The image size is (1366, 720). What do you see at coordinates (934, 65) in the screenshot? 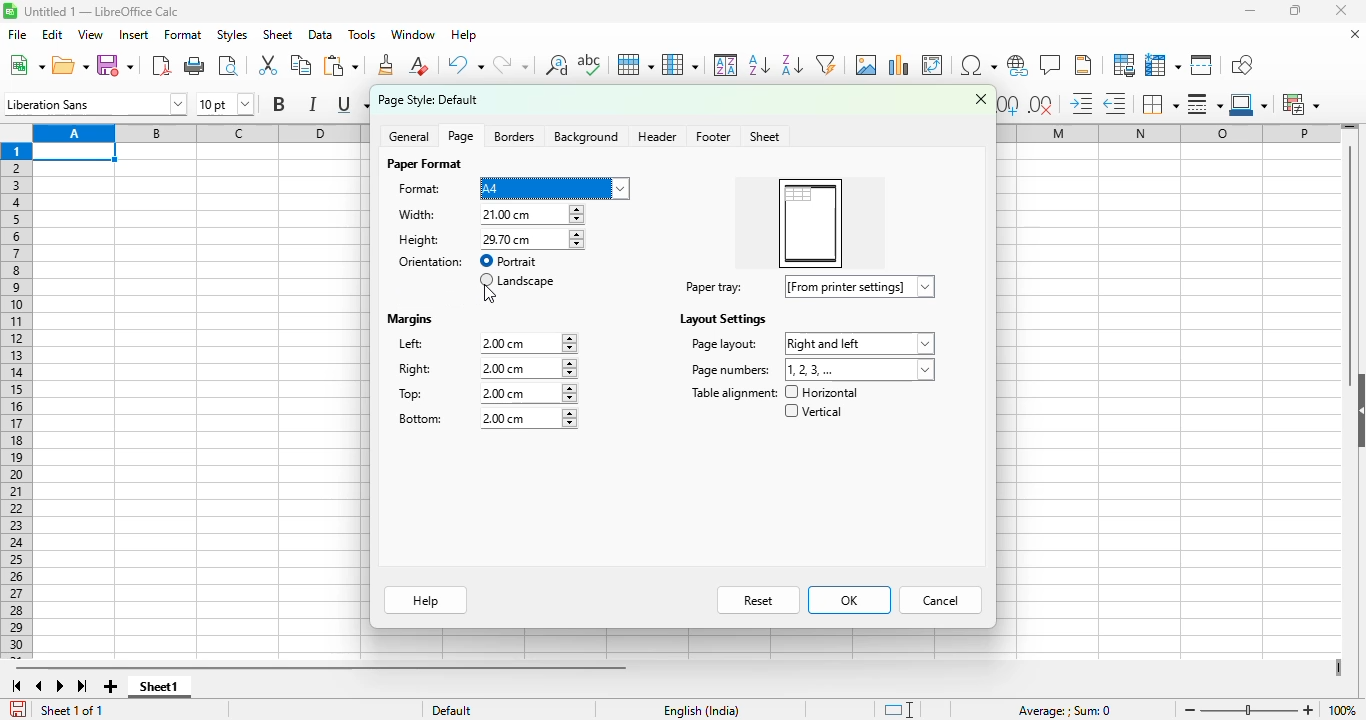
I see `insert or edit pivot table` at bounding box center [934, 65].